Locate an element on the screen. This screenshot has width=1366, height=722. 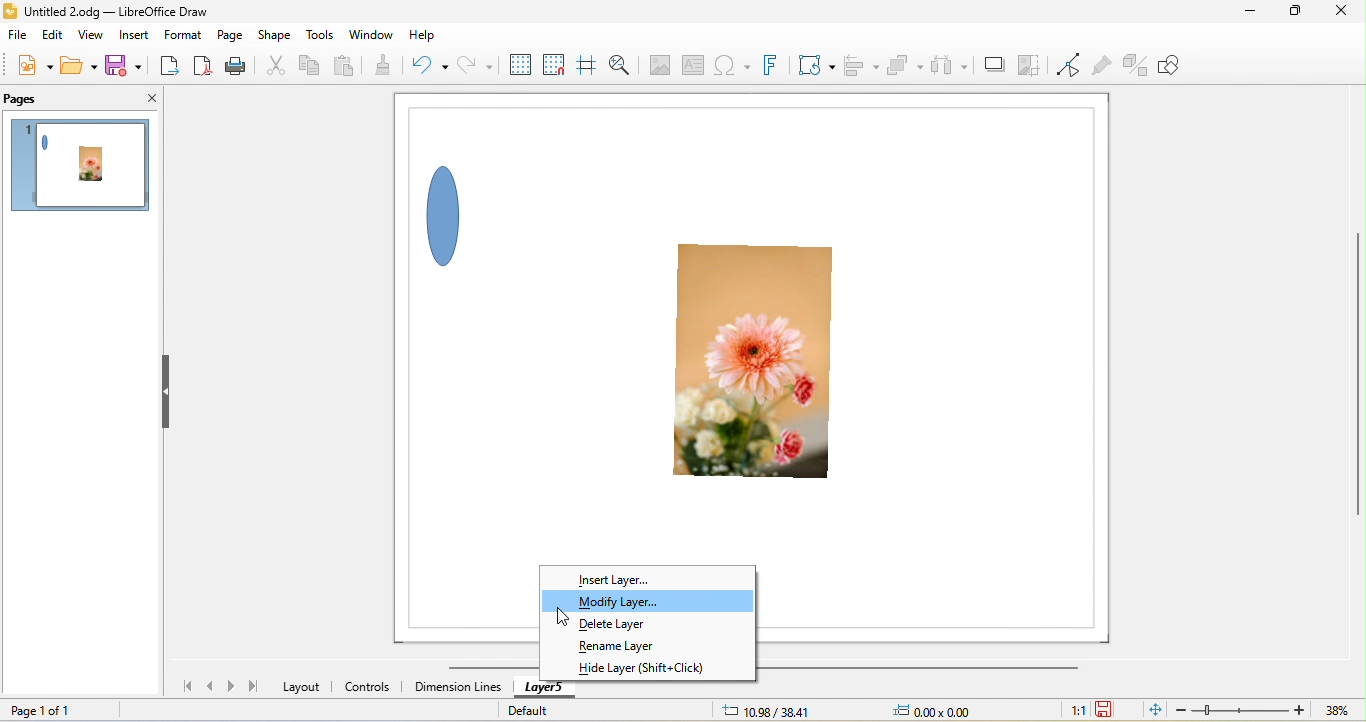
maximize is located at coordinates (1290, 14).